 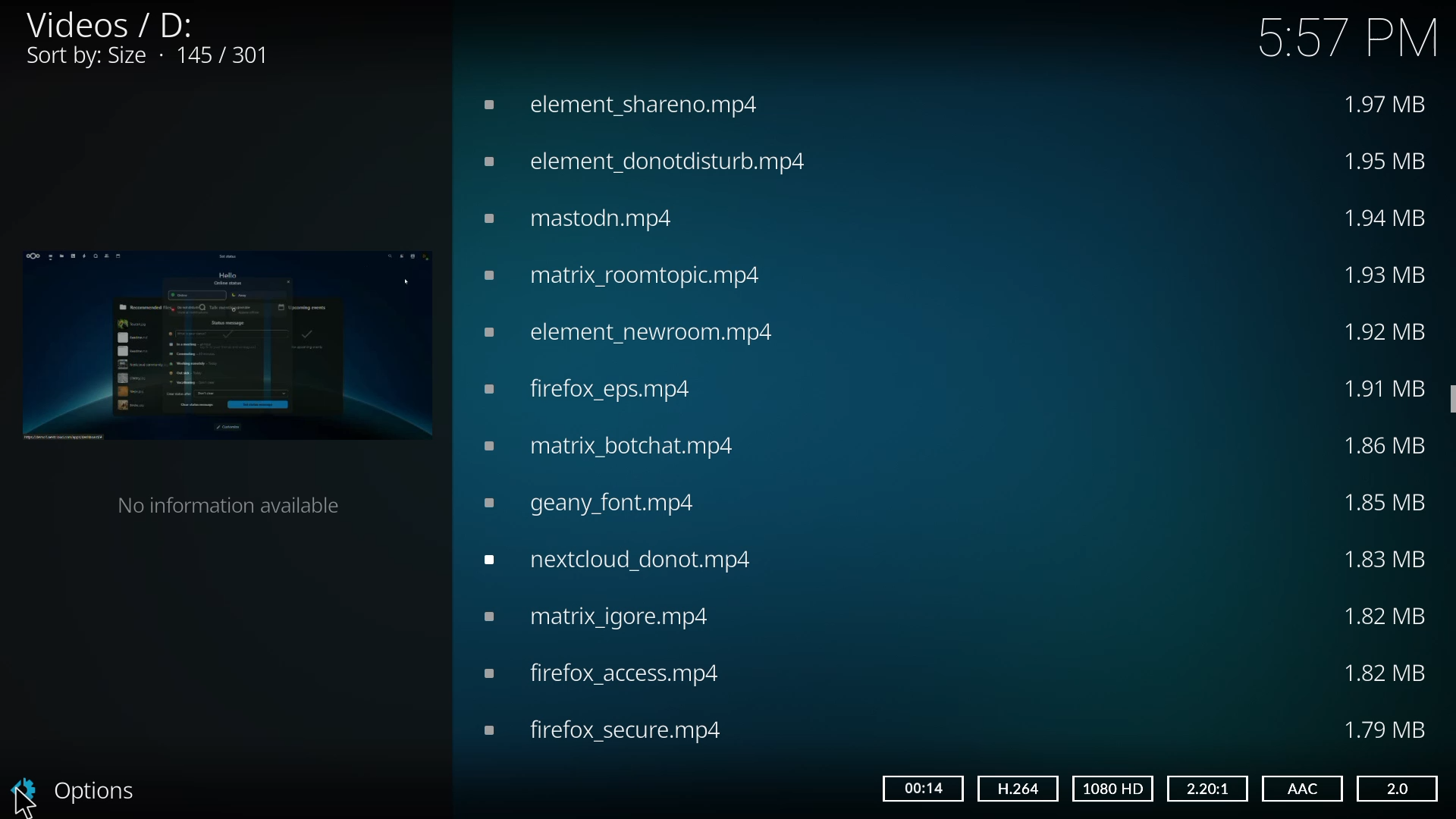 I want to click on video, so click(x=630, y=329).